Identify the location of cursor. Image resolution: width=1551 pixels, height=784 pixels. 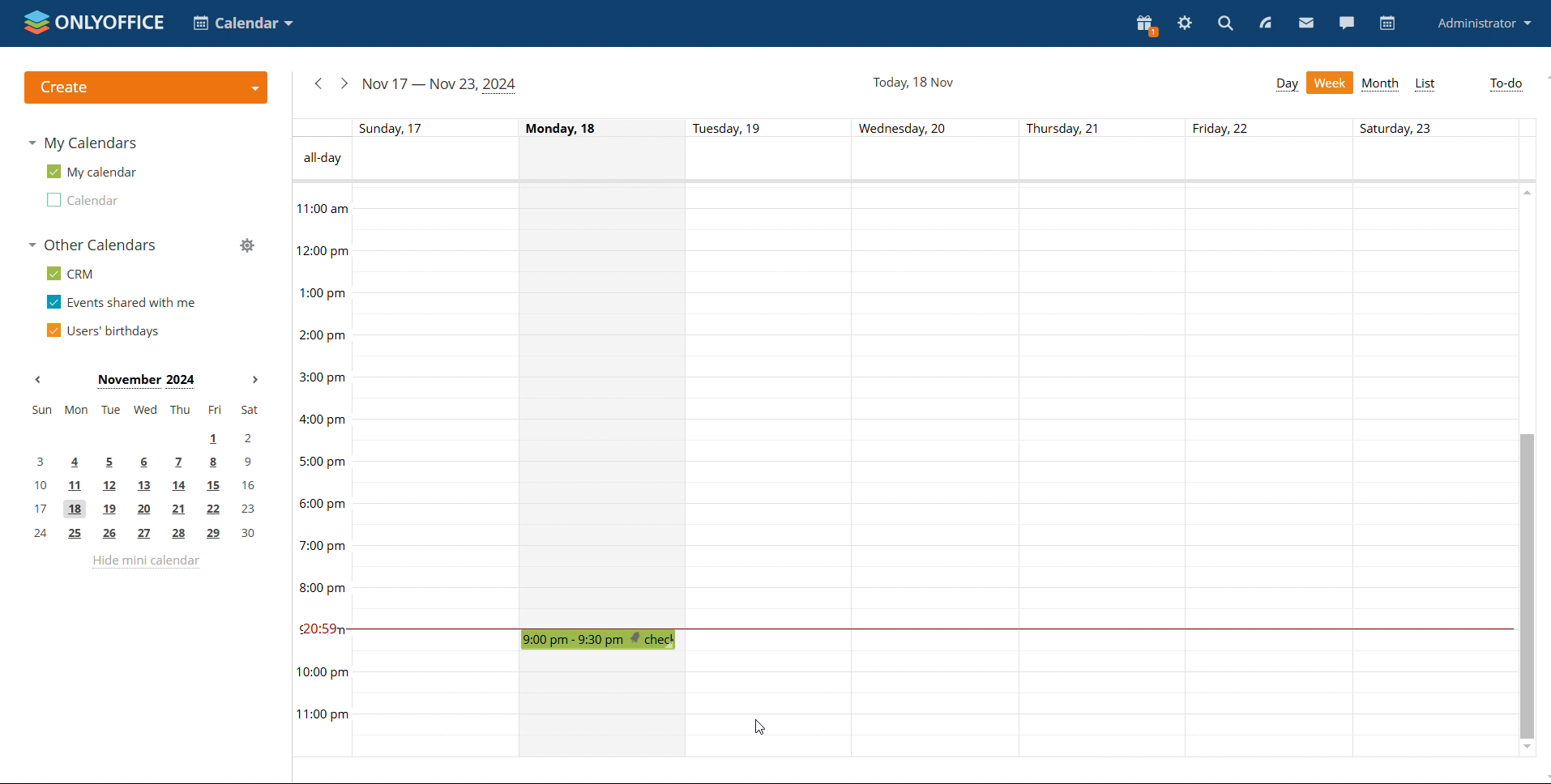
(759, 728).